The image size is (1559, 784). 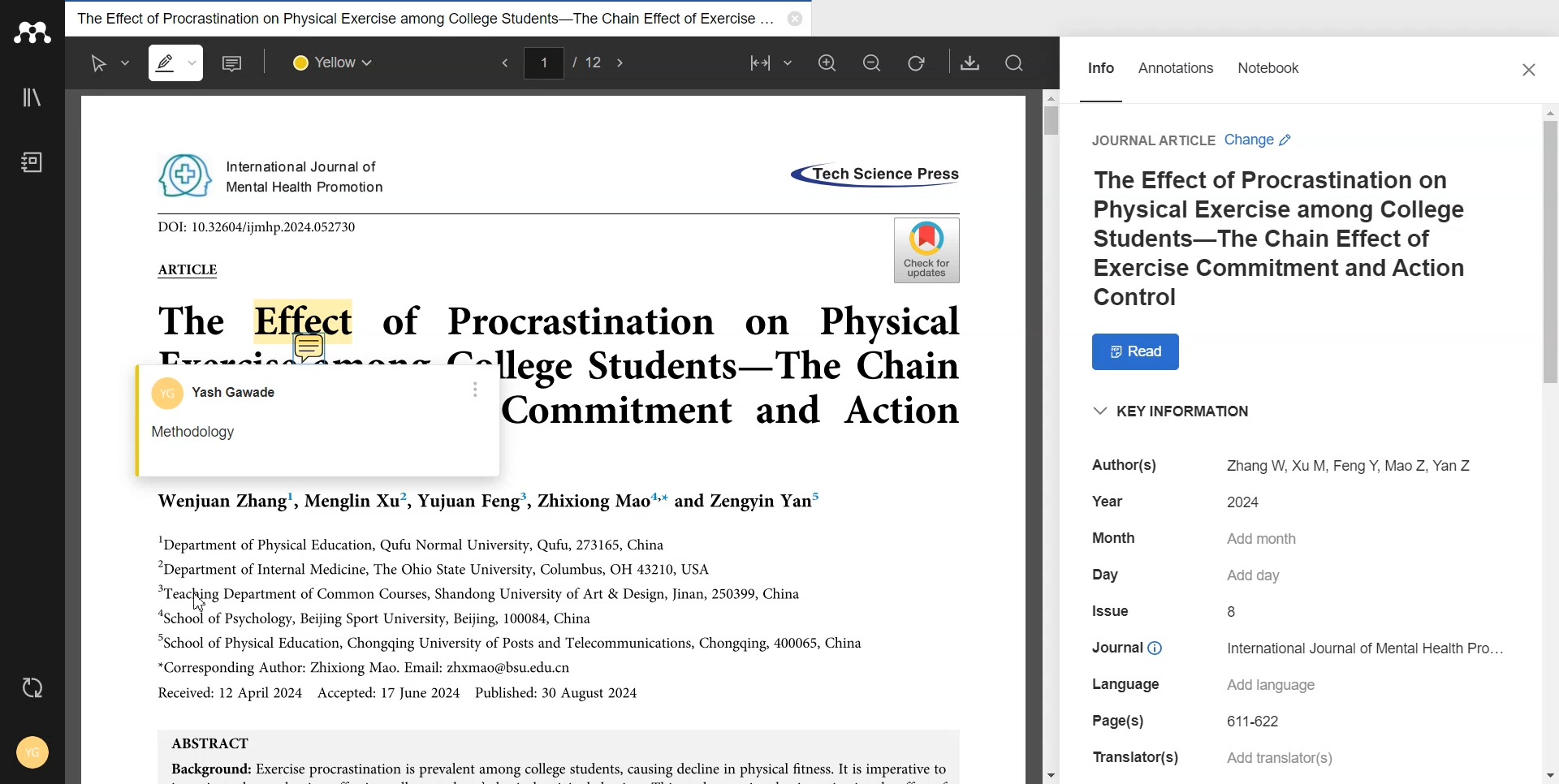 What do you see at coordinates (221, 392) in the screenshot?
I see `Account` at bounding box center [221, 392].